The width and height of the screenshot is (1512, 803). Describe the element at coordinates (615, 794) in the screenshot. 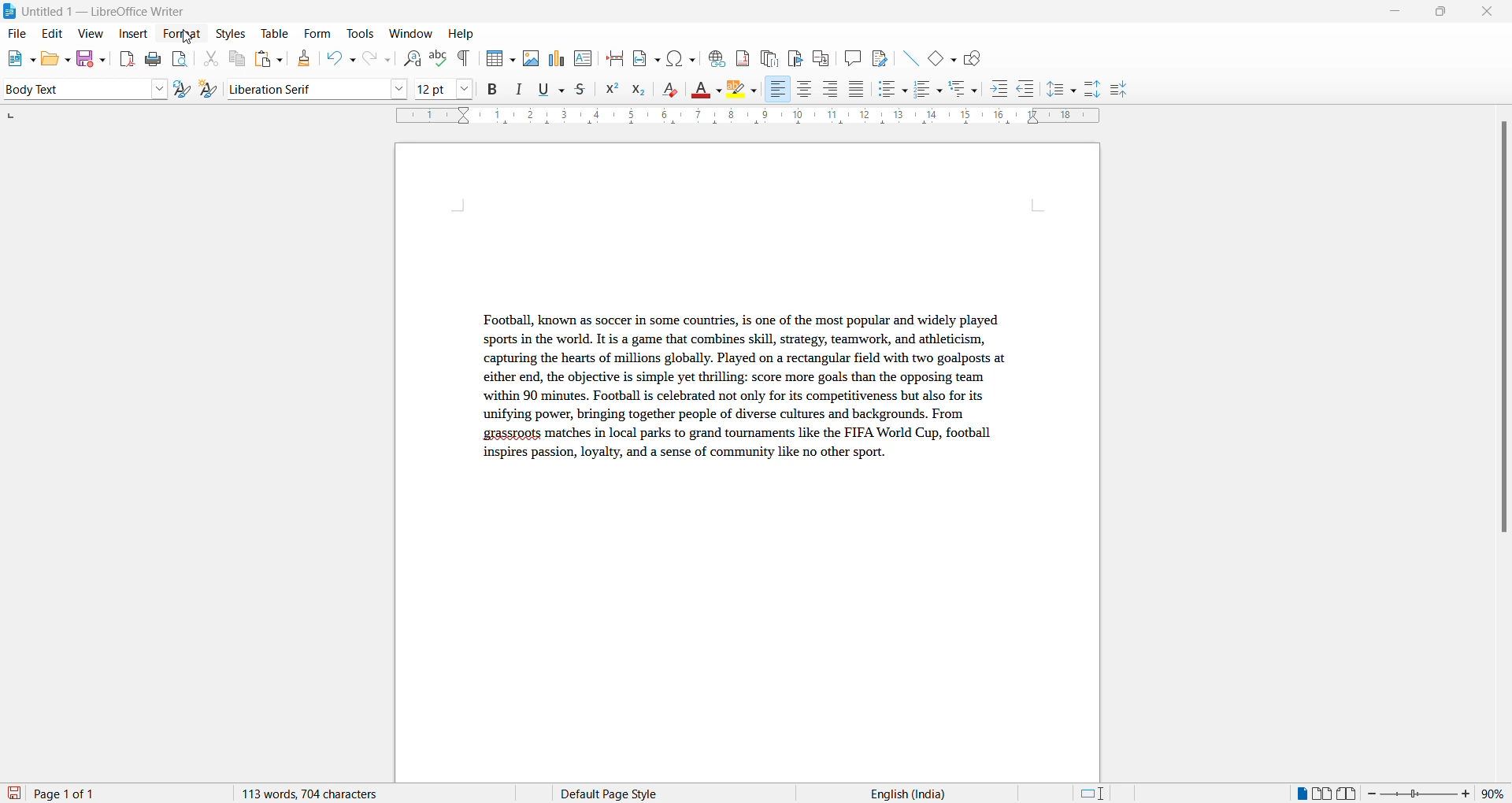

I see `page style` at that location.